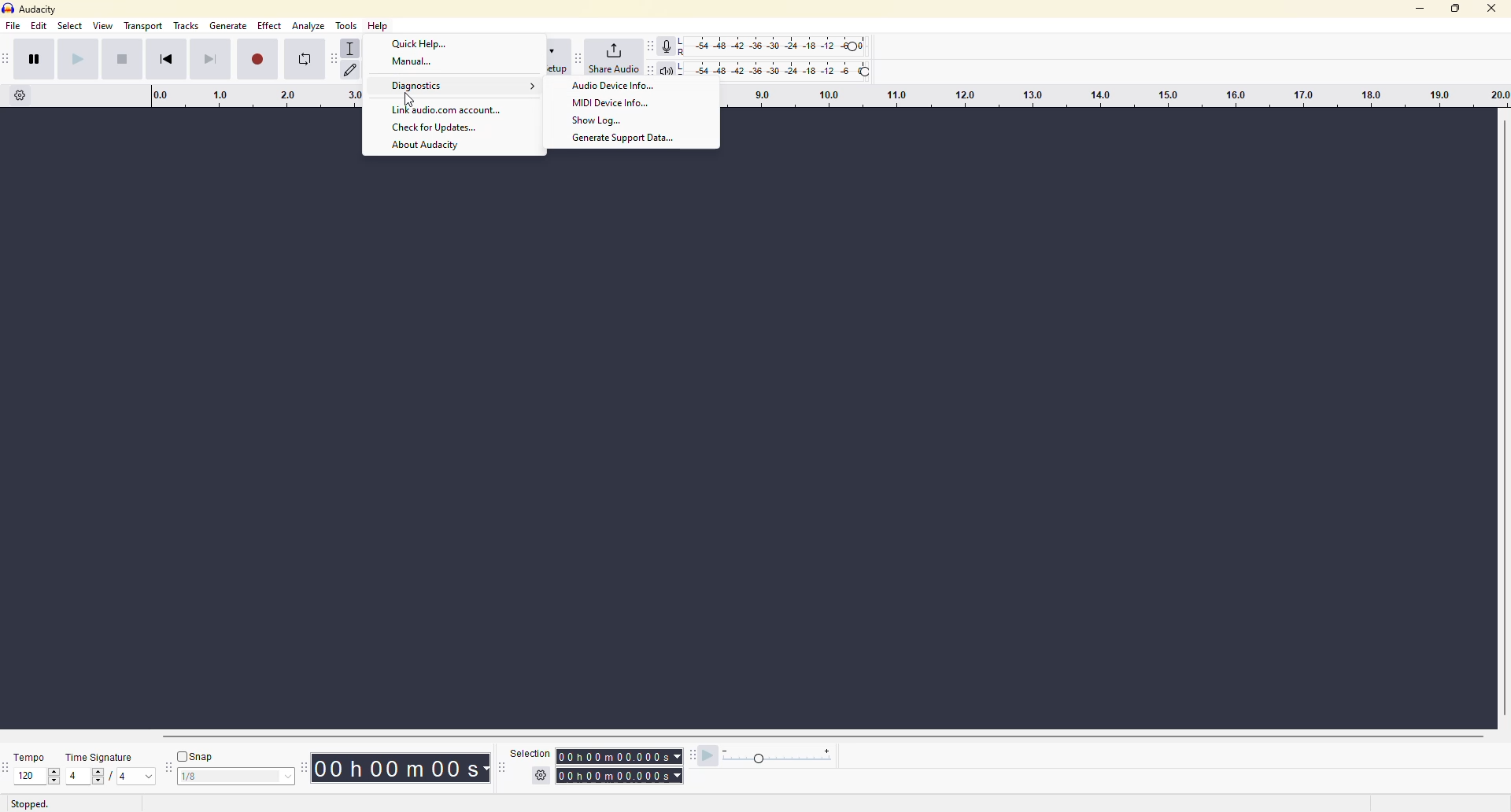 The image size is (1511, 812). Describe the element at coordinates (101, 754) in the screenshot. I see `time signature` at that location.